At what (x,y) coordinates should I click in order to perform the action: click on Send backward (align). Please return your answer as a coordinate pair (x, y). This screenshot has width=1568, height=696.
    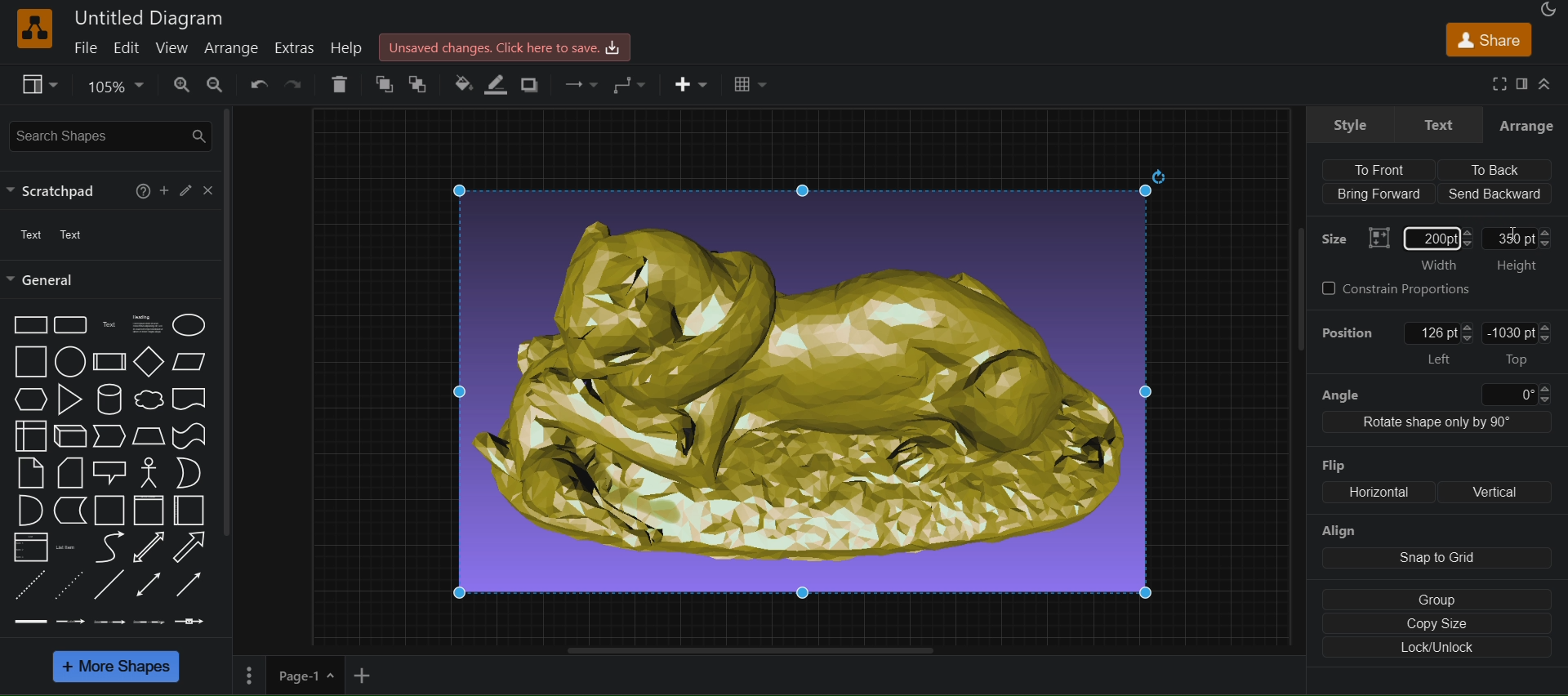
    Looking at the image, I should click on (1496, 194).